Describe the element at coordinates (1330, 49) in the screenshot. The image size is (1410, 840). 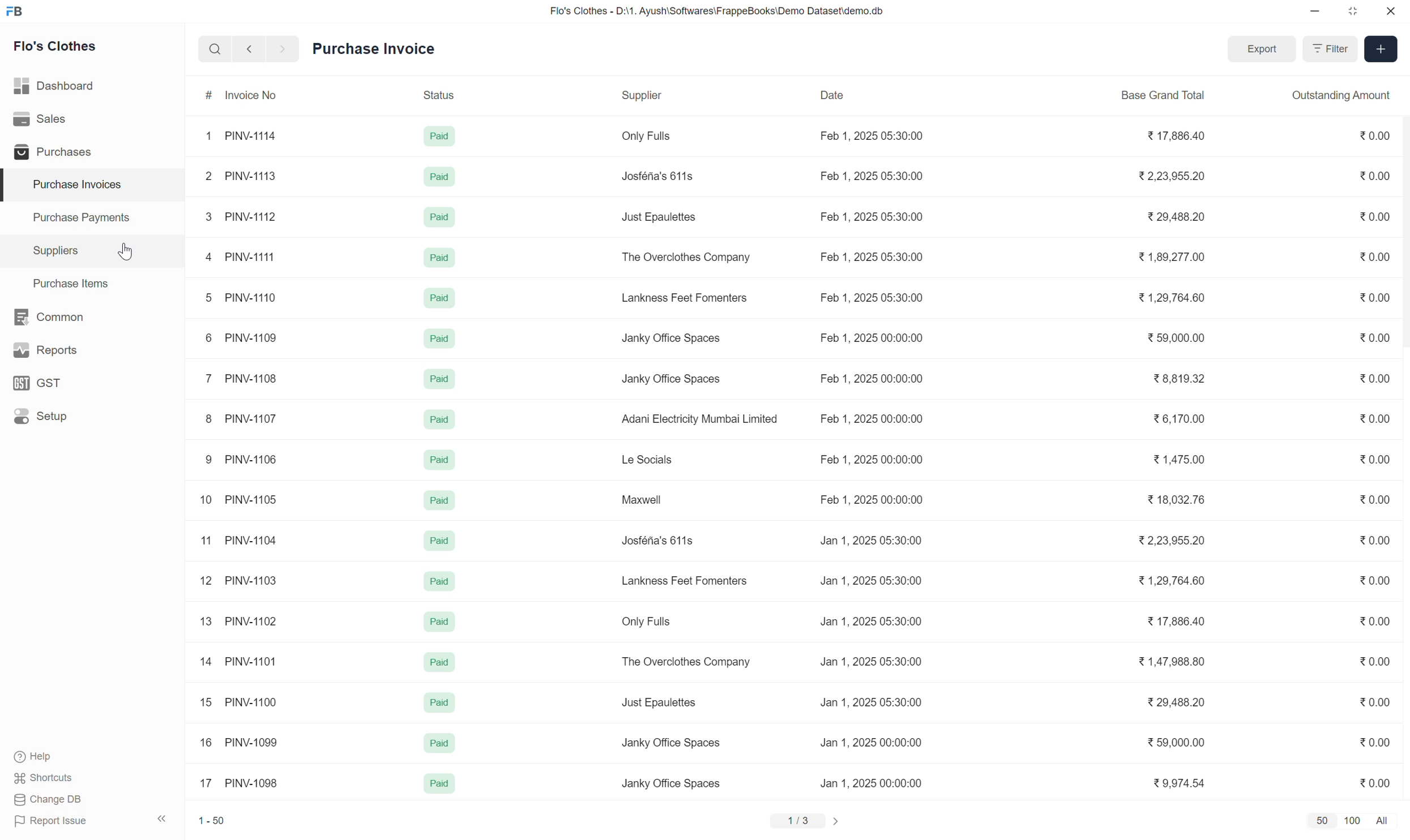
I see `Filter` at that location.